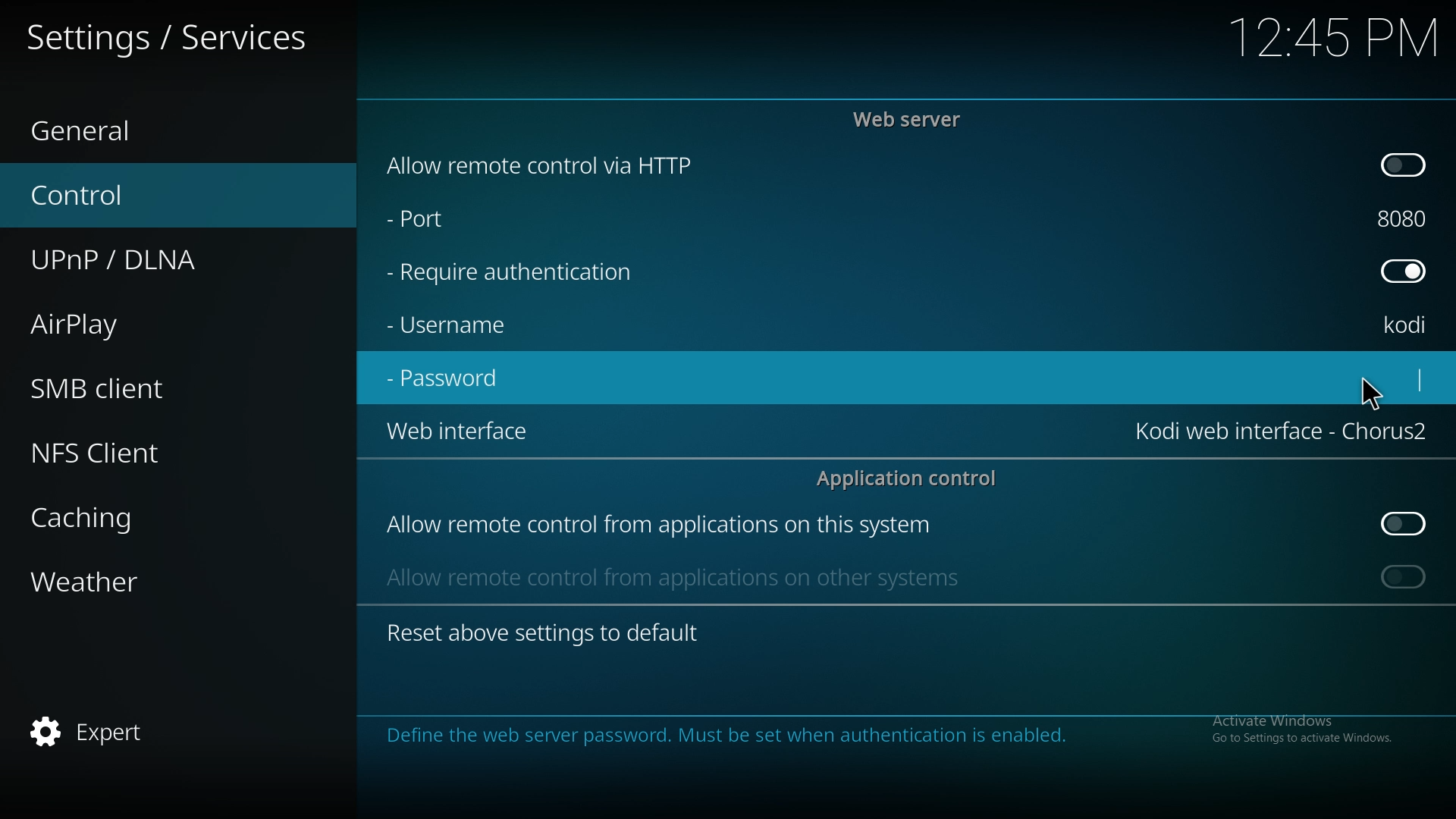 The image size is (1456, 819). I want to click on reset above settings to default, so click(542, 632).